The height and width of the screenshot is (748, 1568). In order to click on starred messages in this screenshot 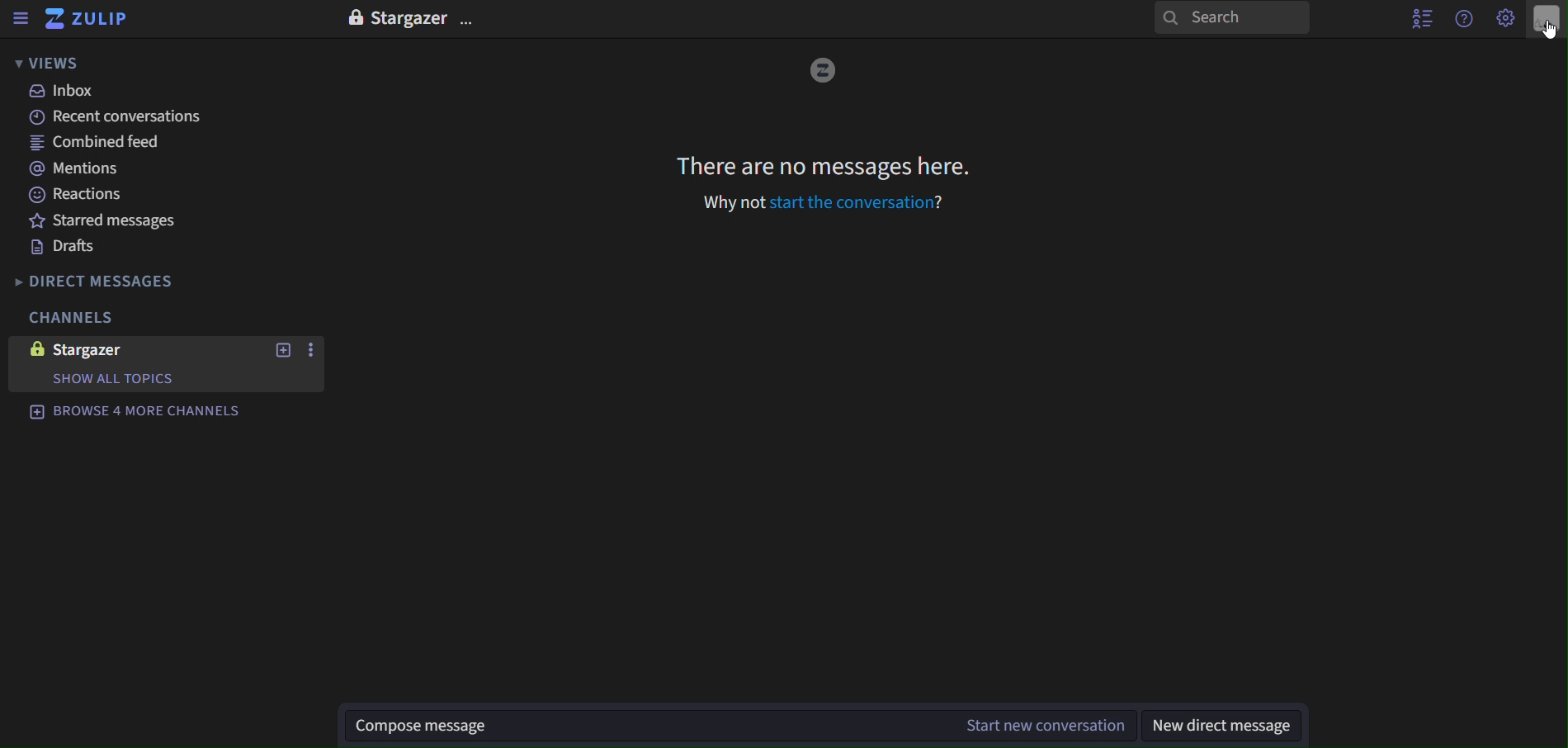, I will do `click(117, 222)`.